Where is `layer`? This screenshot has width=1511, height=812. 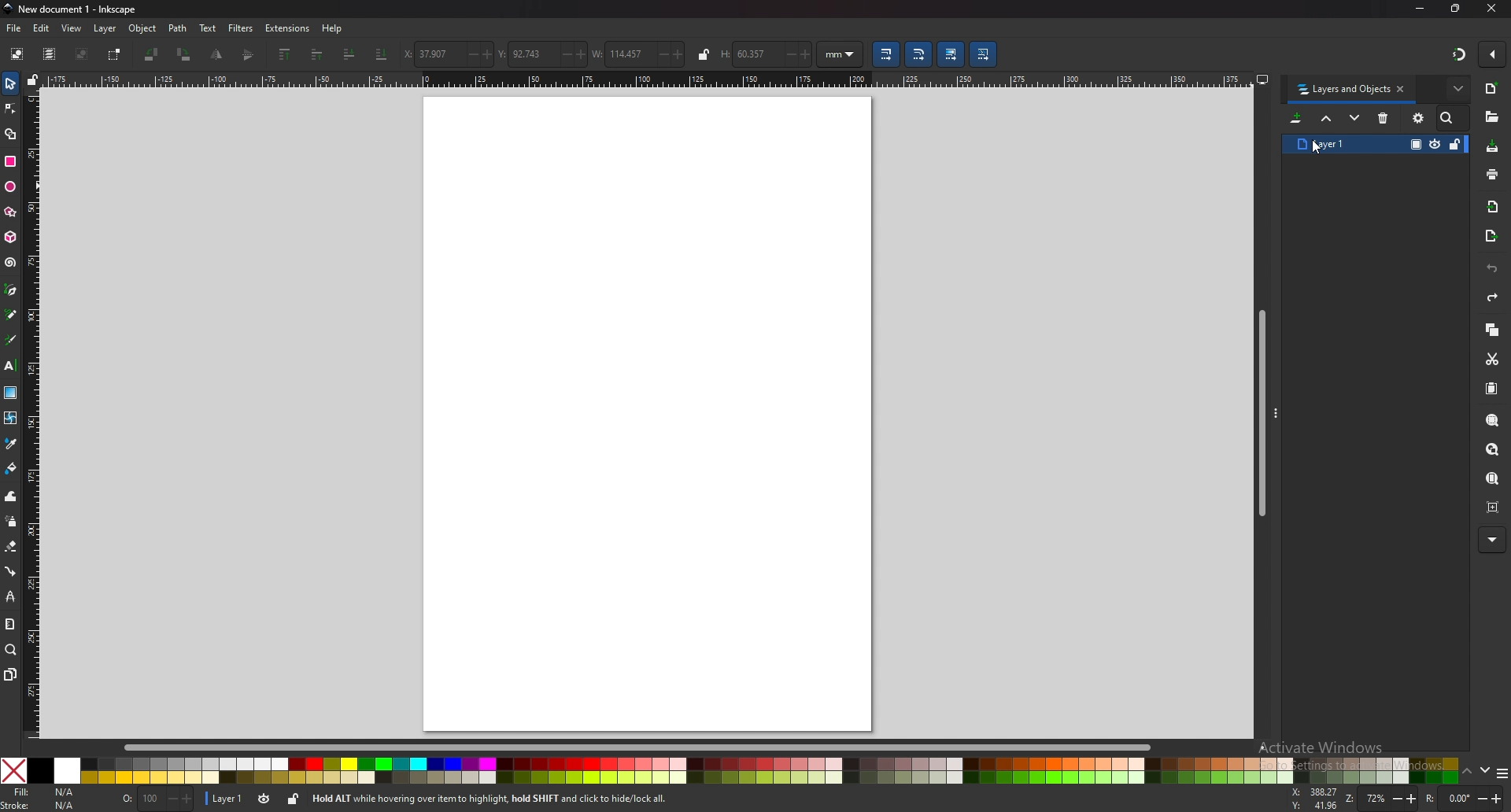
layer is located at coordinates (105, 28).